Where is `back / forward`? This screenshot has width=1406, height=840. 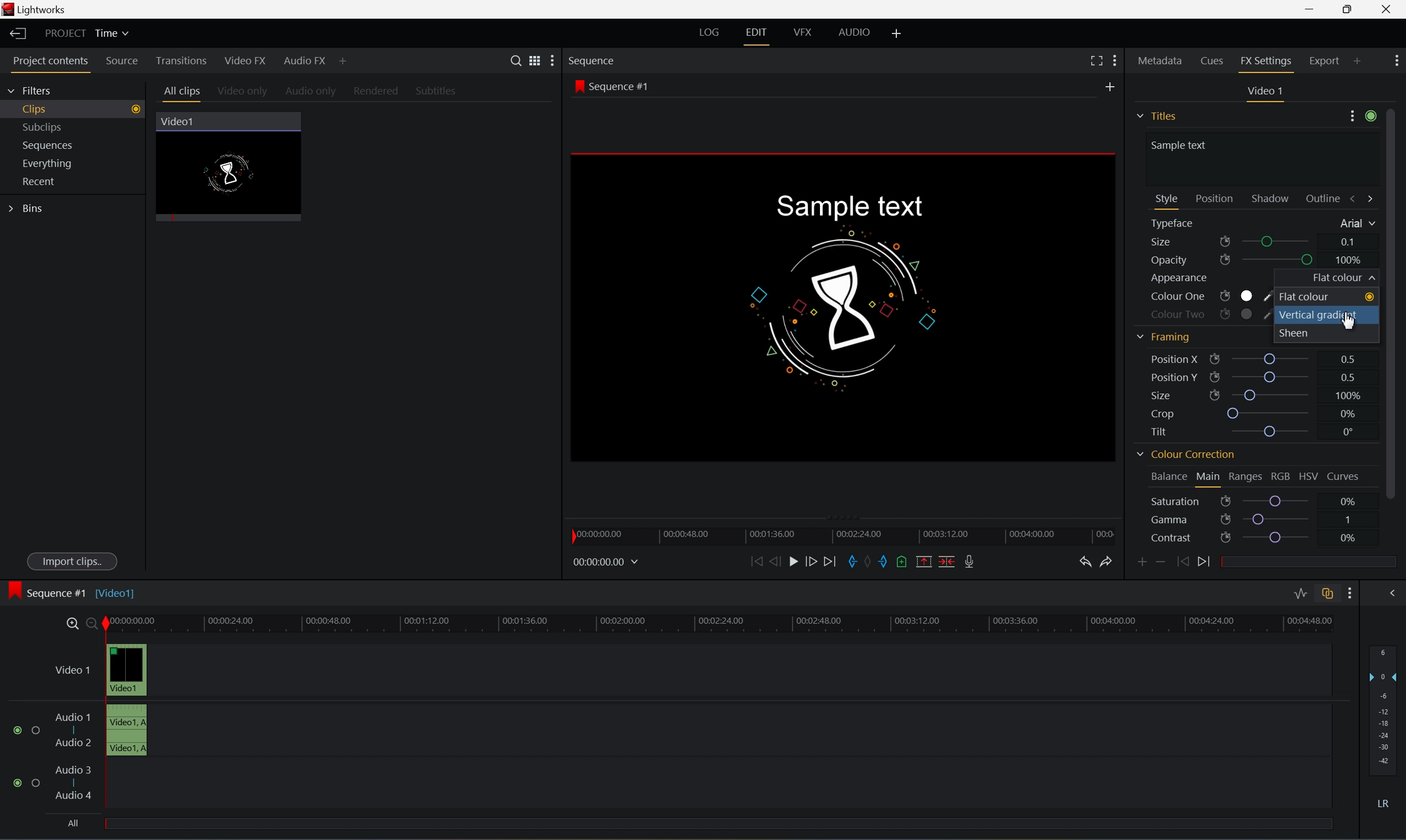 back / forward is located at coordinates (1362, 198).